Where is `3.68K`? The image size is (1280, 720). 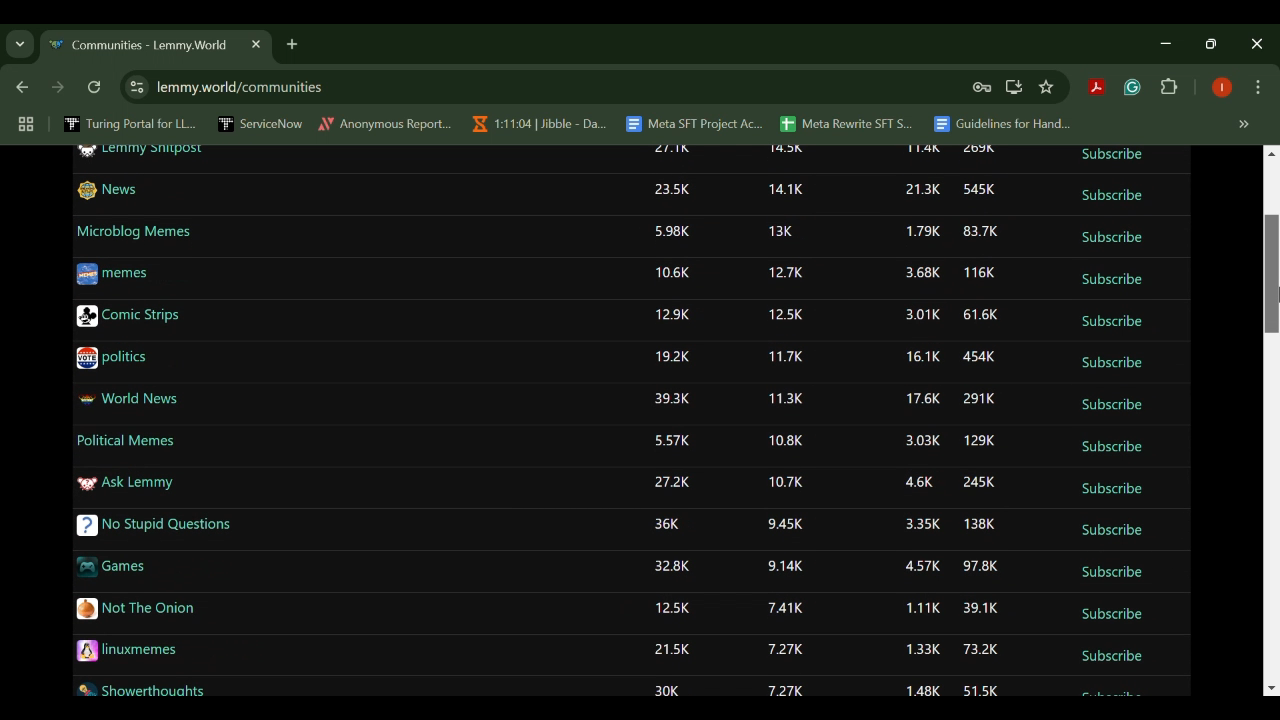
3.68K is located at coordinates (915, 272).